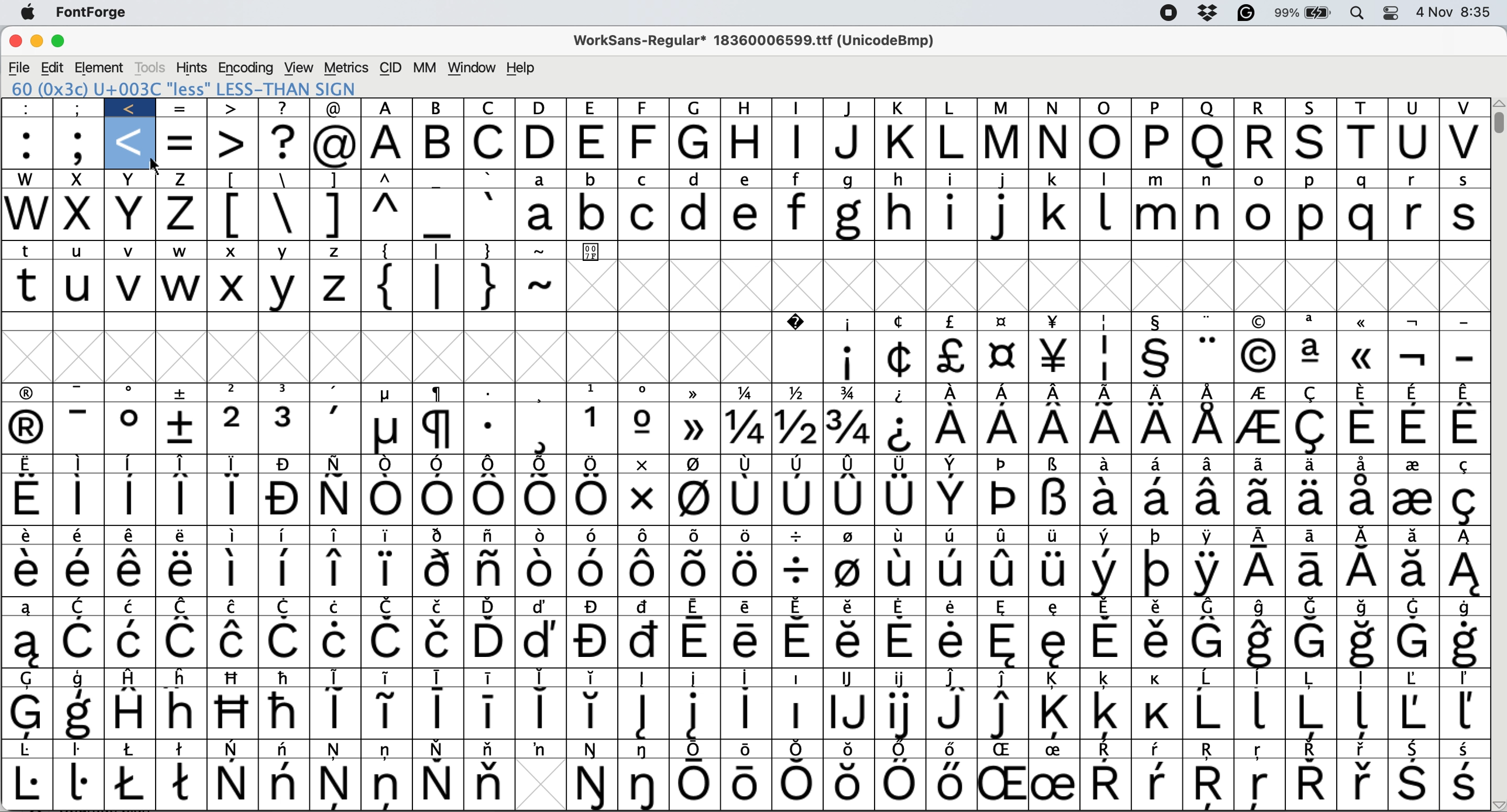  I want to click on ~, so click(541, 251).